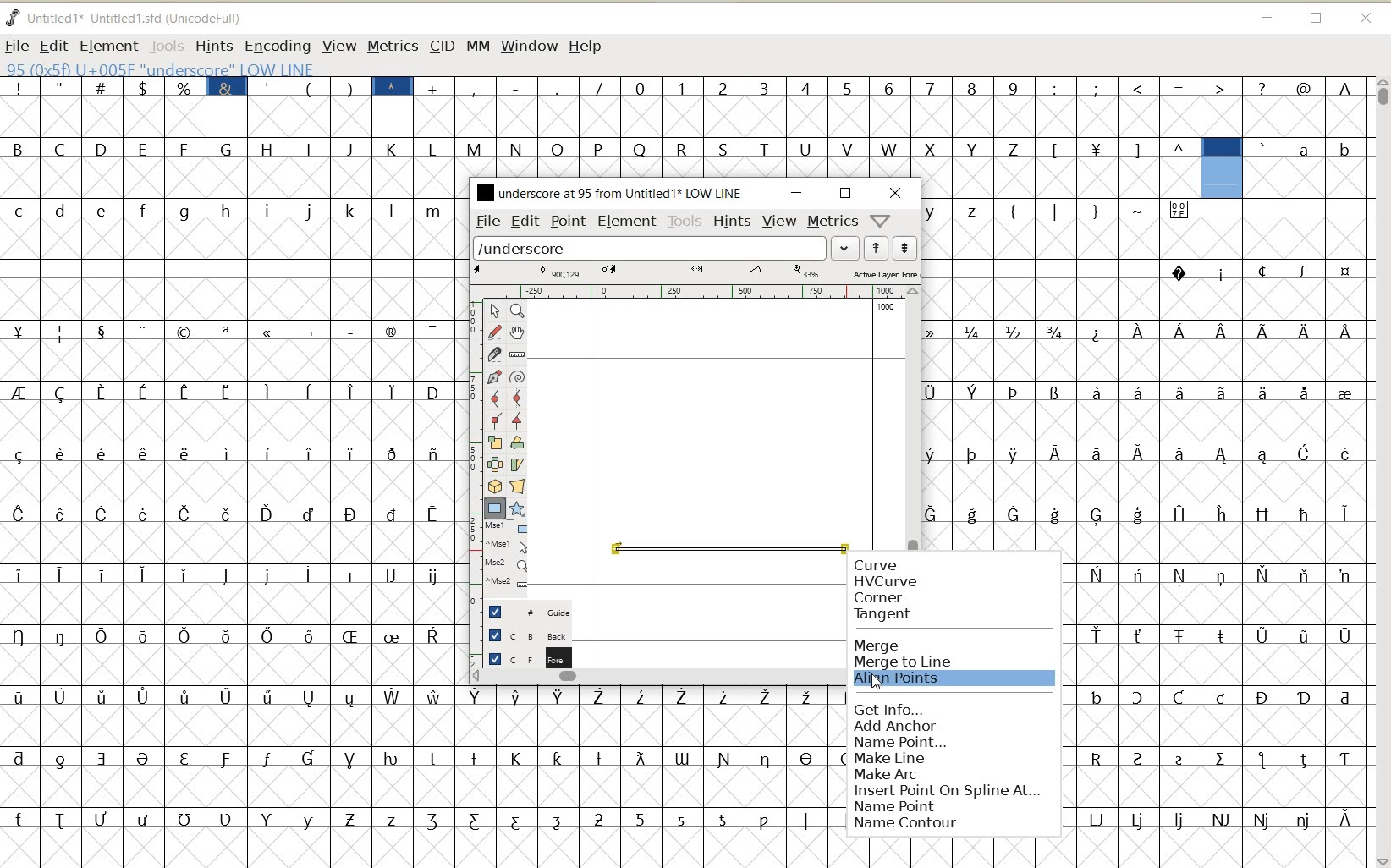  What do you see at coordinates (896, 193) in the screenshot?
I see `CLOSE` at bounding box center [896, 193].